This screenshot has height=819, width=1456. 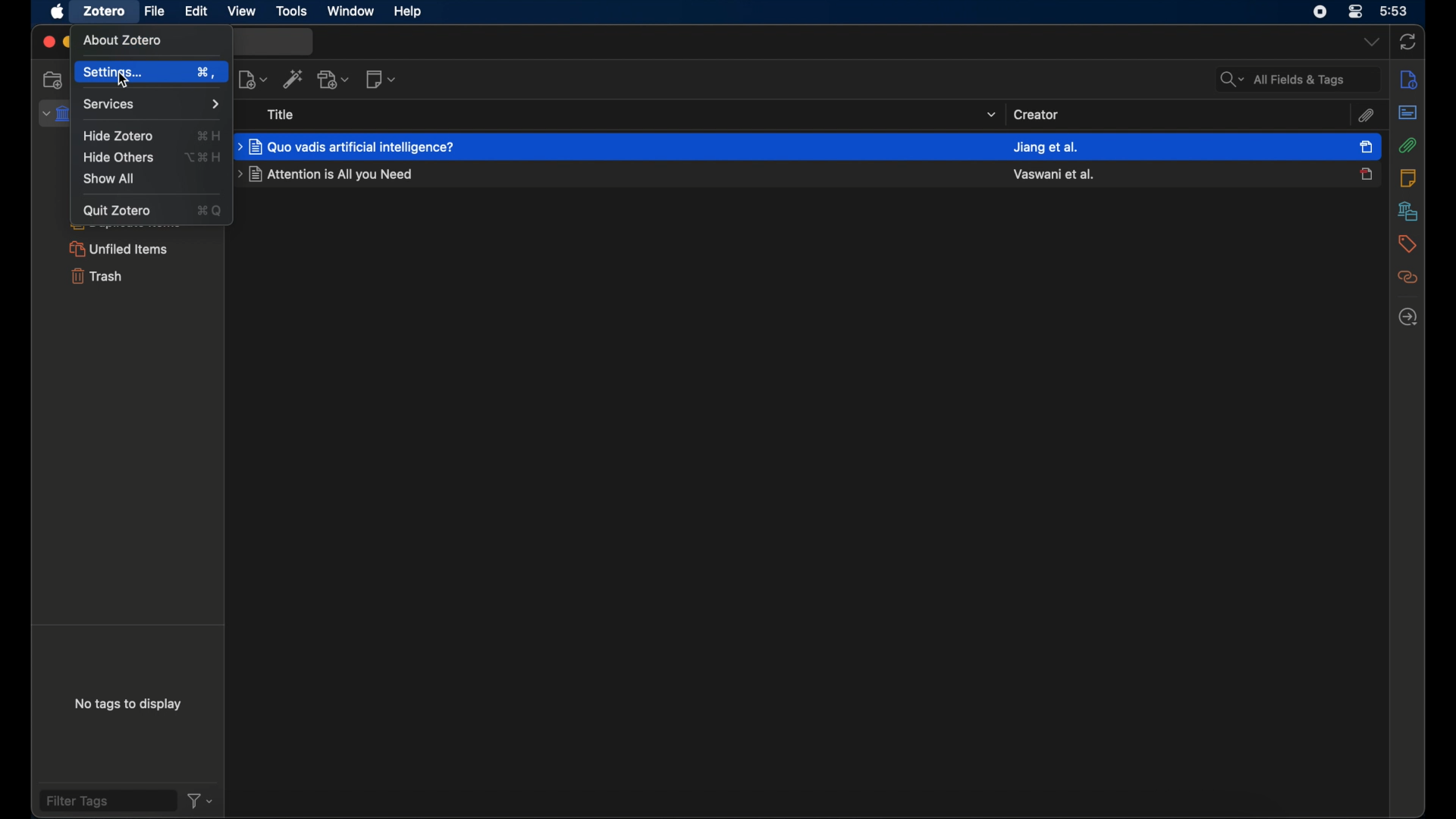 I want to click on filter tags field, so click(x=108, y=801).